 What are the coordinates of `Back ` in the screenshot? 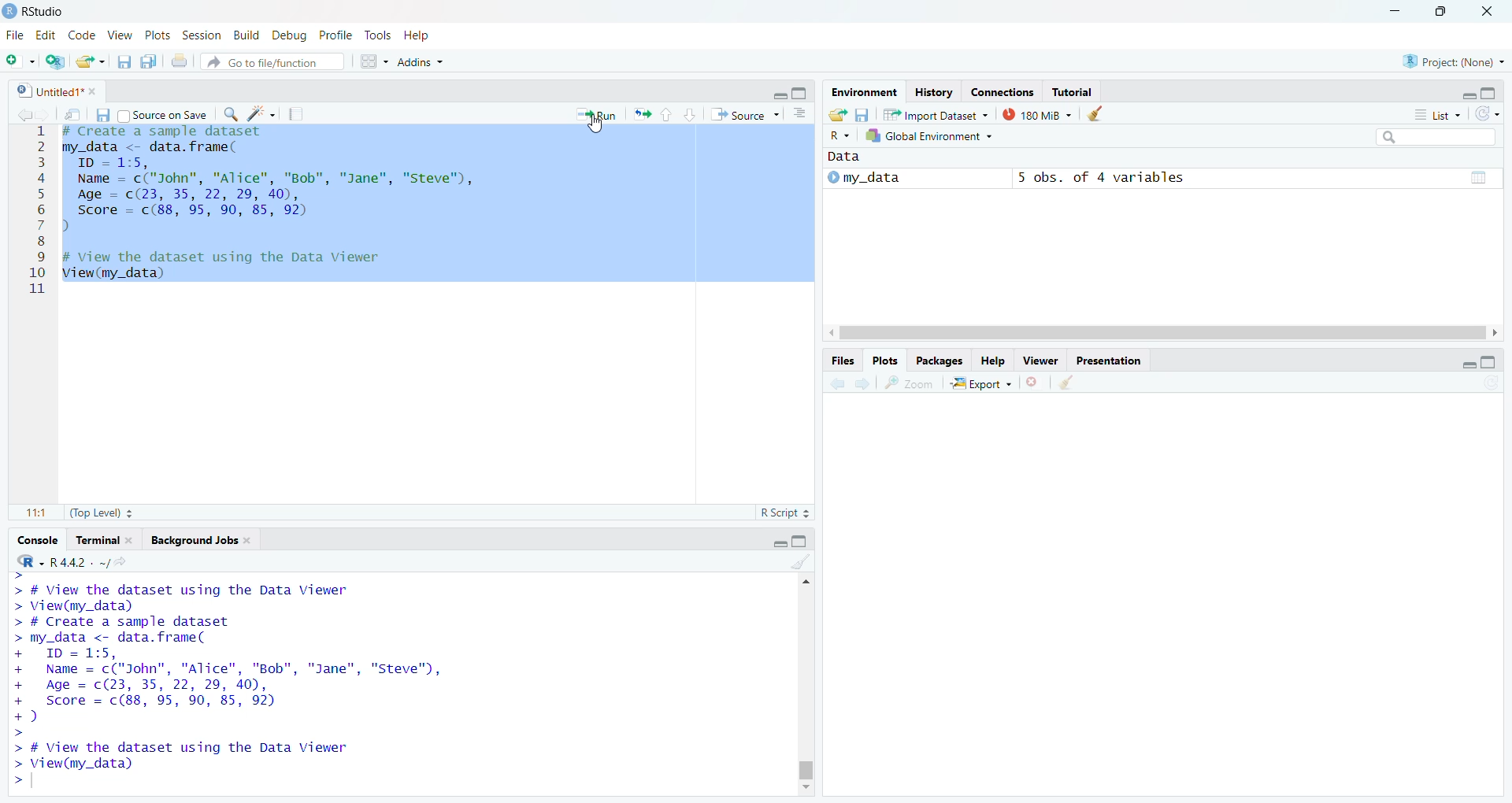 It's located at (835, 383).